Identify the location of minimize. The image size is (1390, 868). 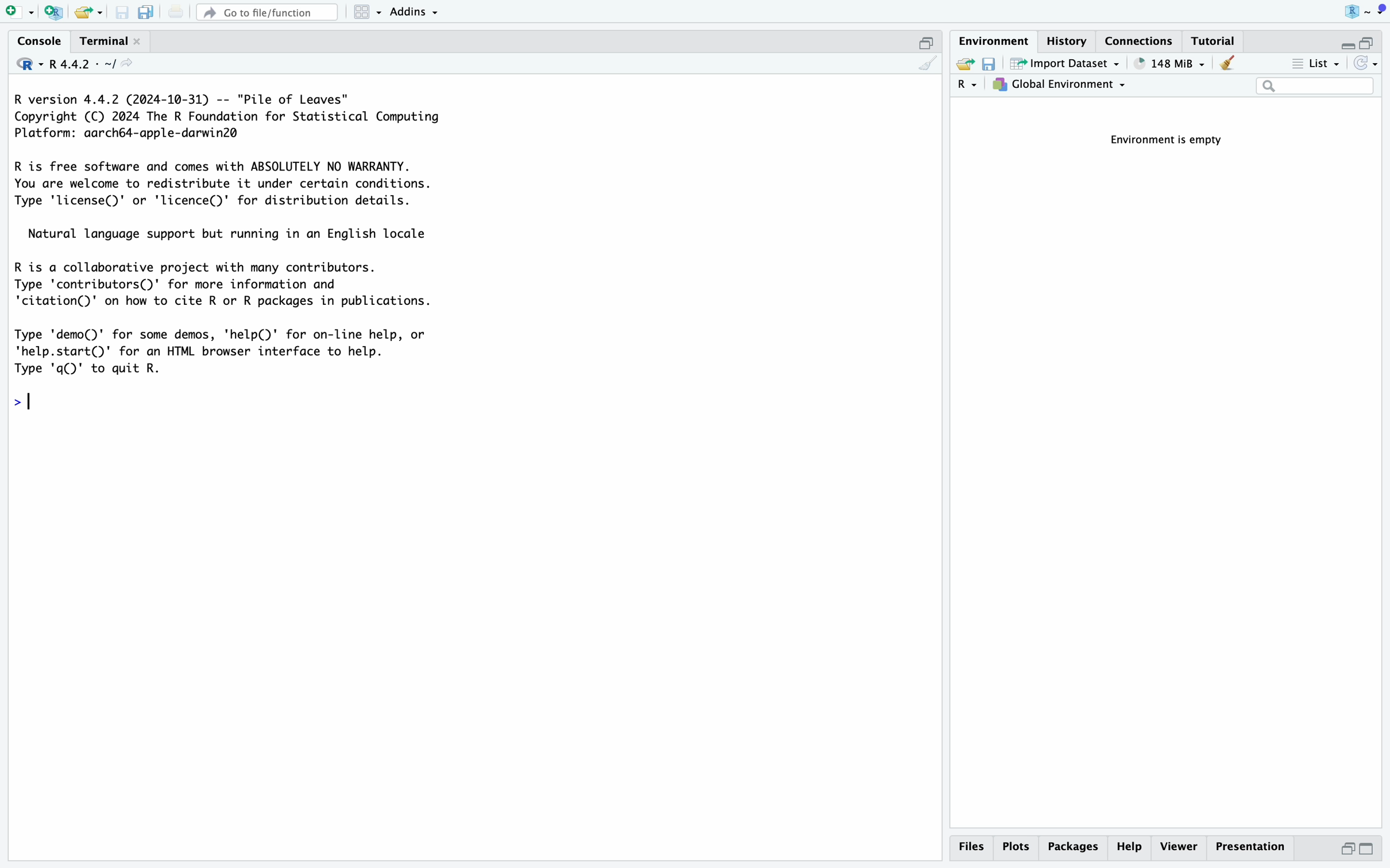
(1342, 40).